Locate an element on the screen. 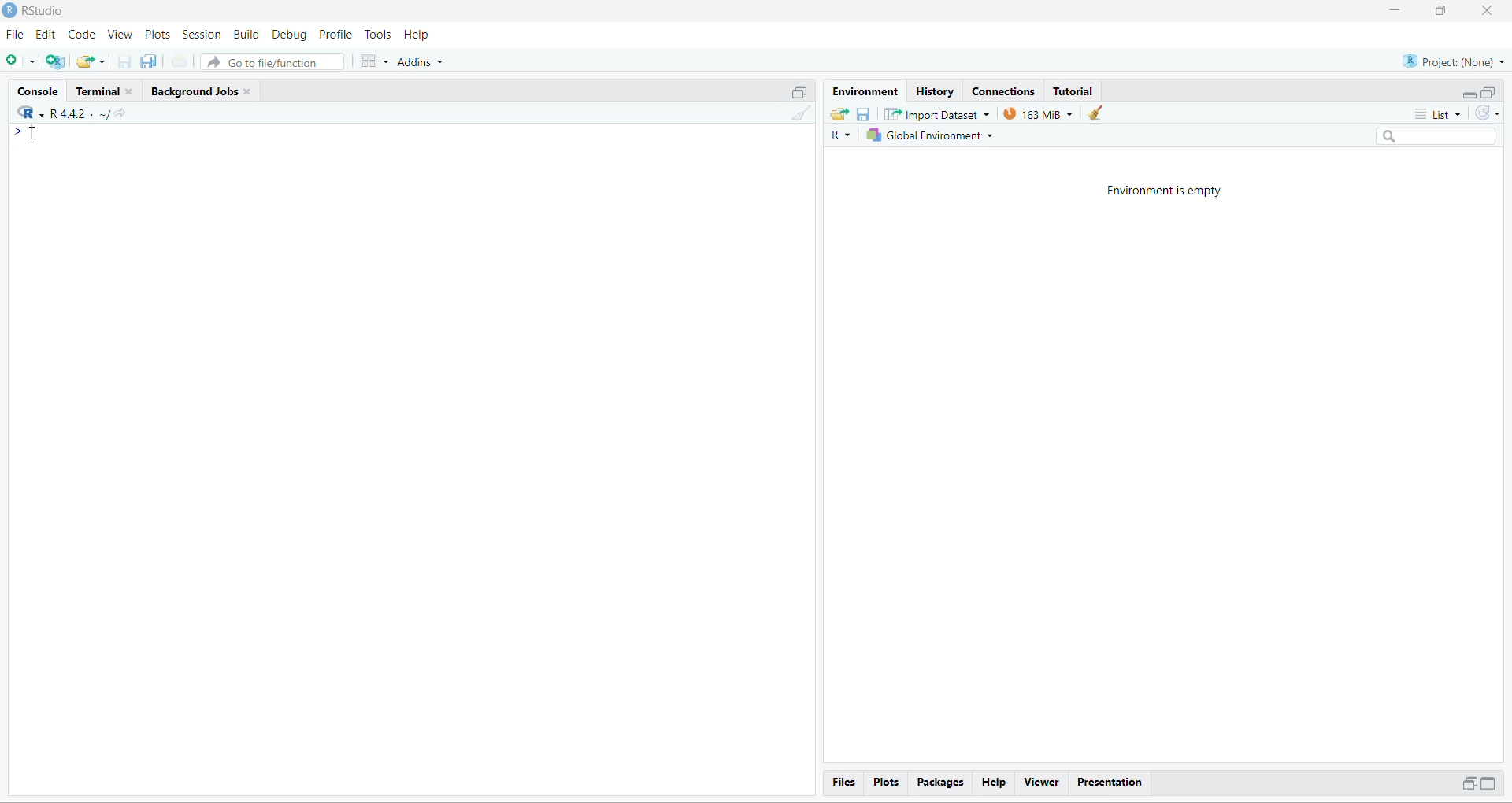 The image size is (1512, 803). create a project is located at coordinates (54, 61).